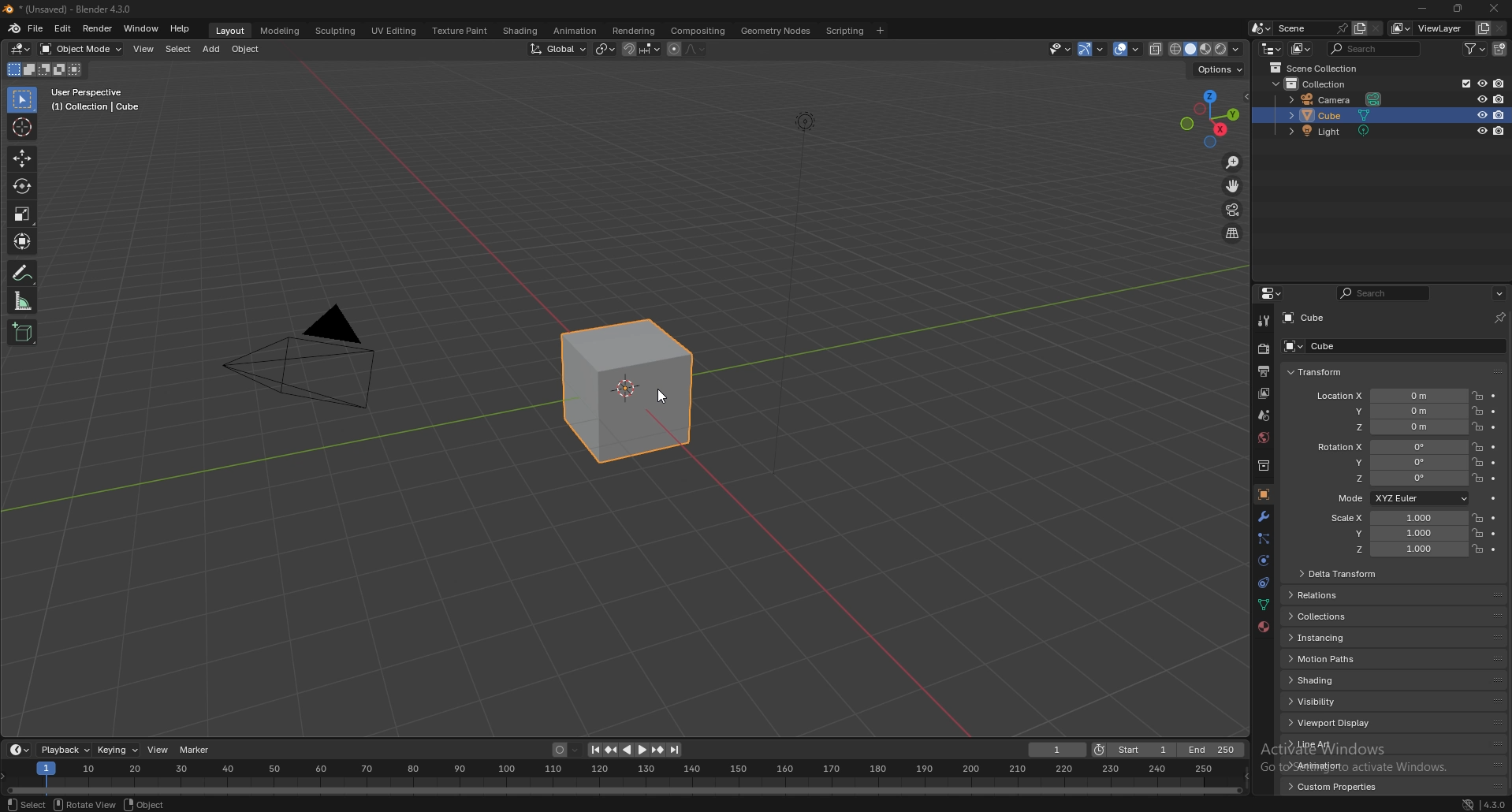 This screenshot has height=812, width=1512. I want to click on shading, so click(1237, 50).